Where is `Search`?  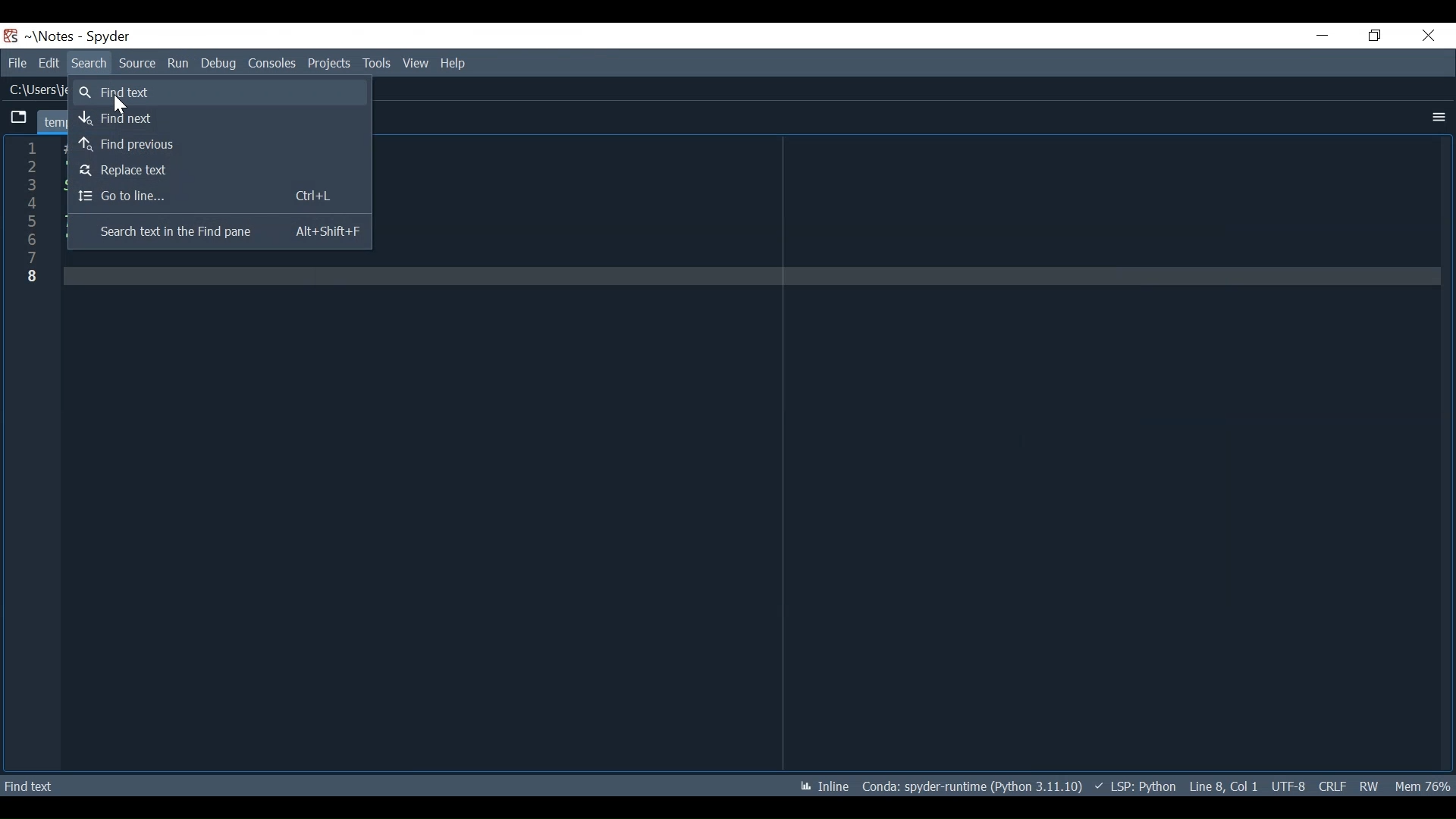
Search is located at coordinates (83, 63).